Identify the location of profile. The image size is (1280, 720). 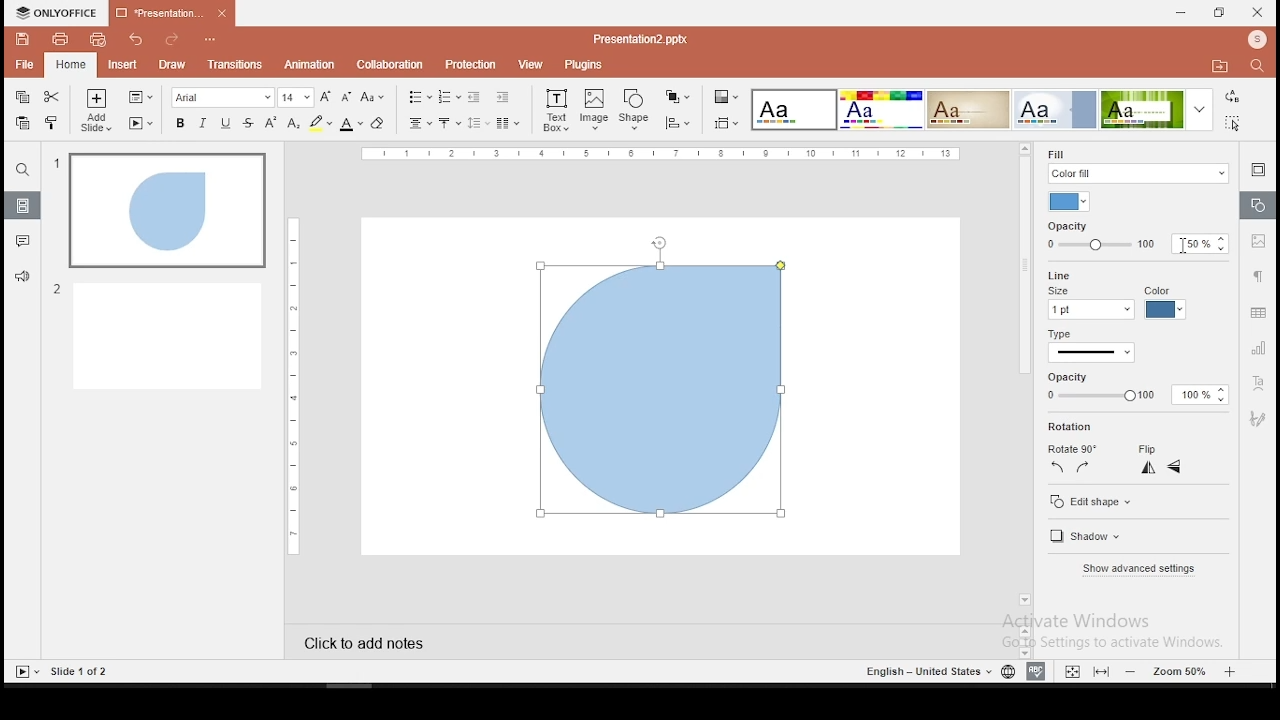
(1255, 39).